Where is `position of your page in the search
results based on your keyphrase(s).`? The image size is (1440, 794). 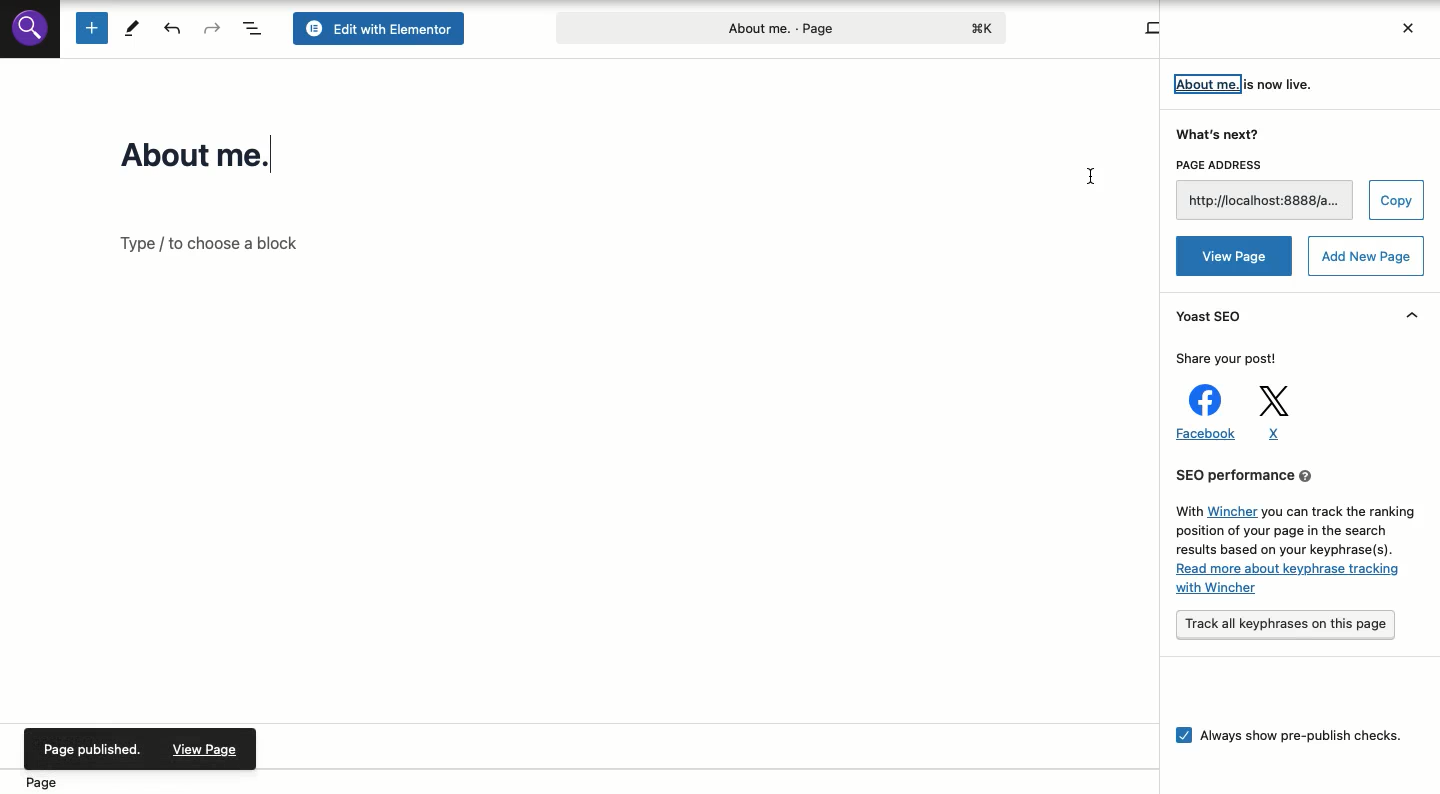
position of your page in the search
results based on your keyphrase(s). is located at coordinates (1287, 541).